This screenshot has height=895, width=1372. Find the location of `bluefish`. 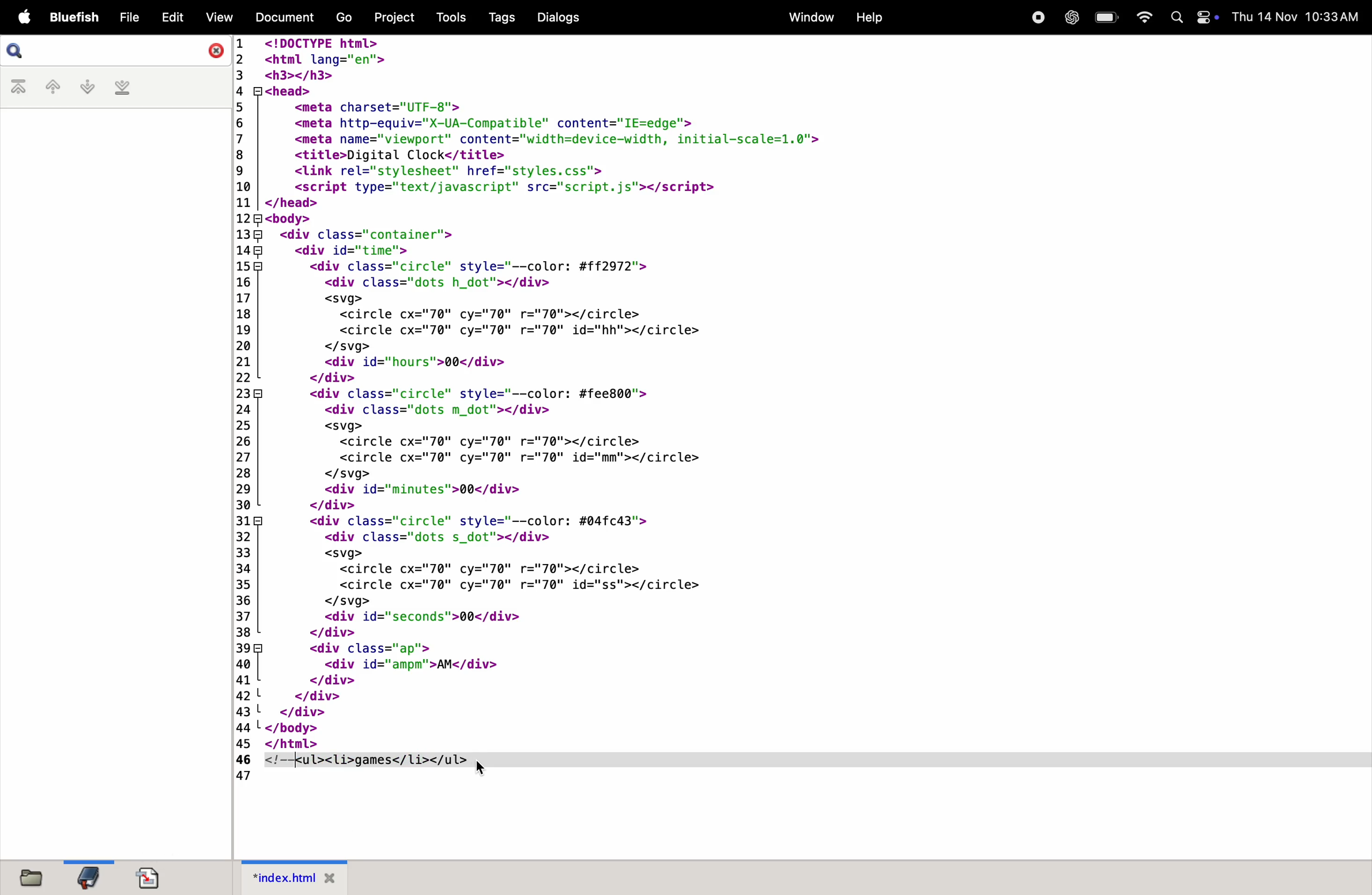

bluefish is located at coordinates (71, 16).